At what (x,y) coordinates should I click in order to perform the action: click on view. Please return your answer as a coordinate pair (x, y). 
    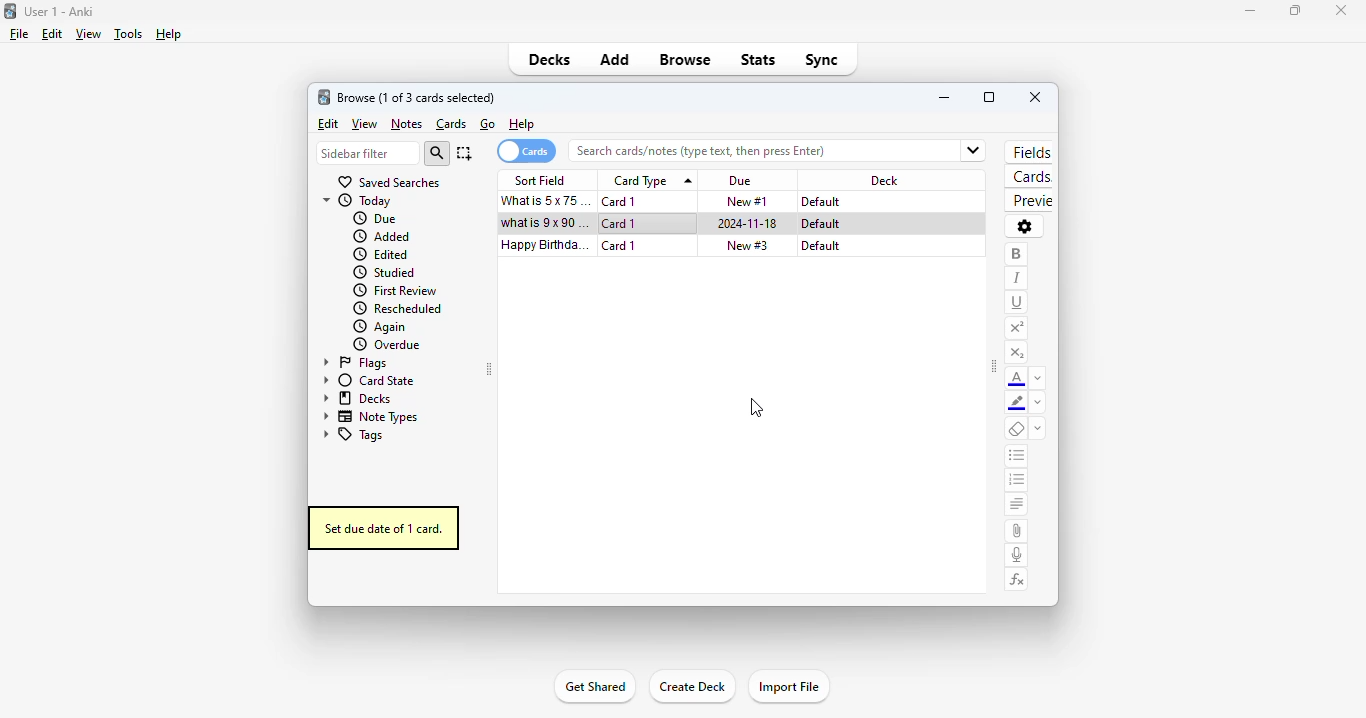
    Looking at the image, I should click on (87, 35).